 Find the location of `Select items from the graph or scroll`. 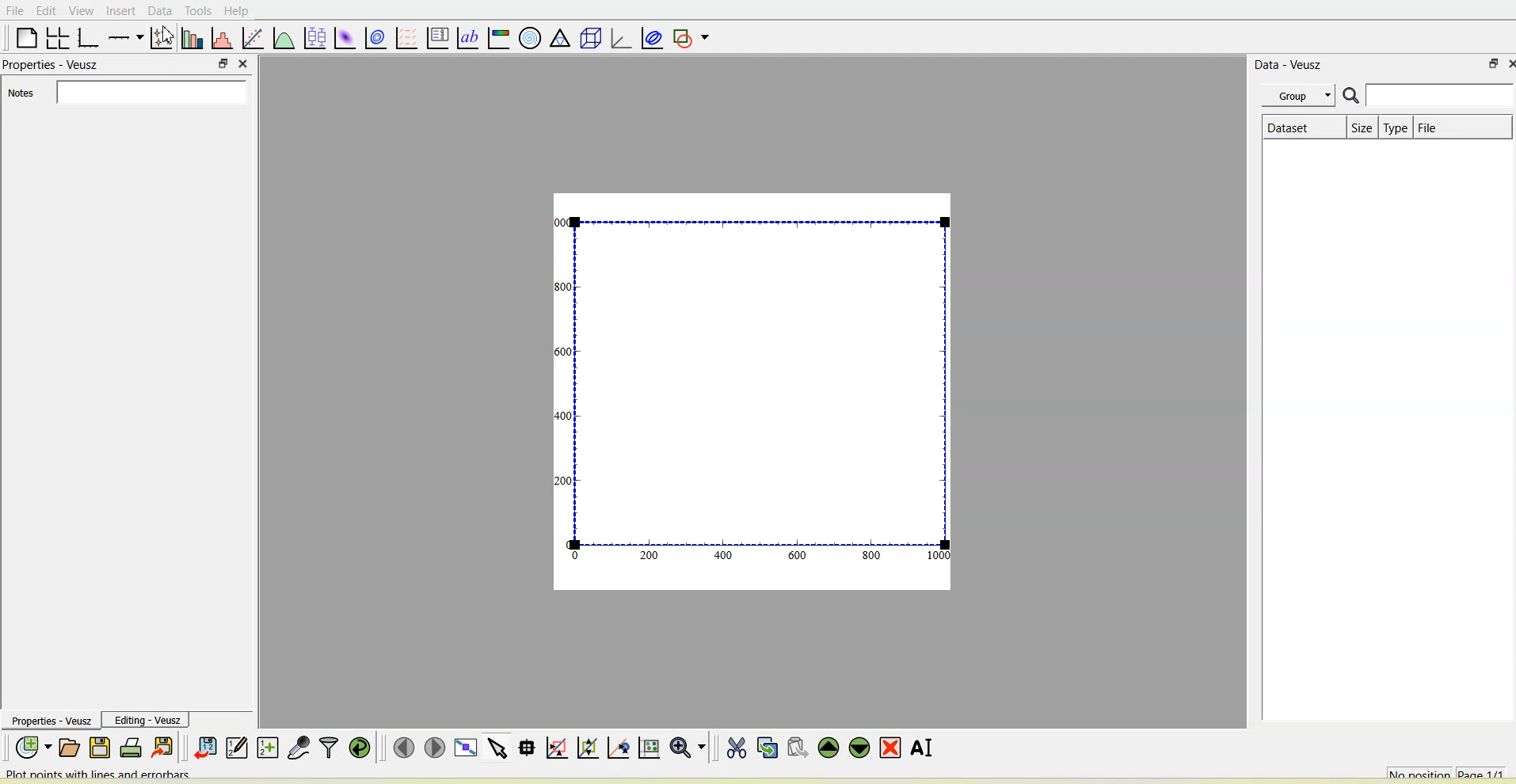

Select items from the graph or scroll is located at coordinates (498, 748).